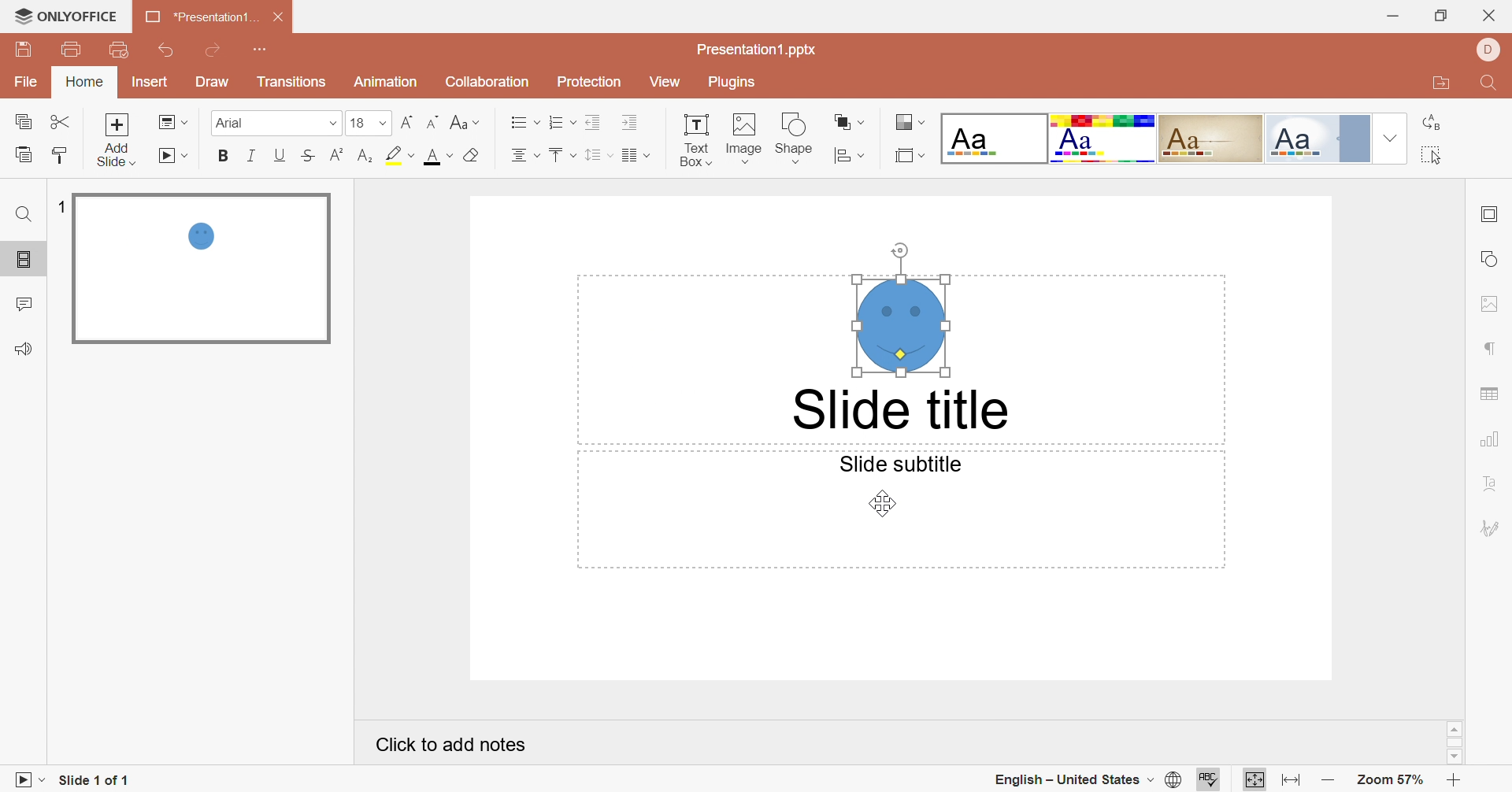  I want to click on Blank, so click(994, 139).